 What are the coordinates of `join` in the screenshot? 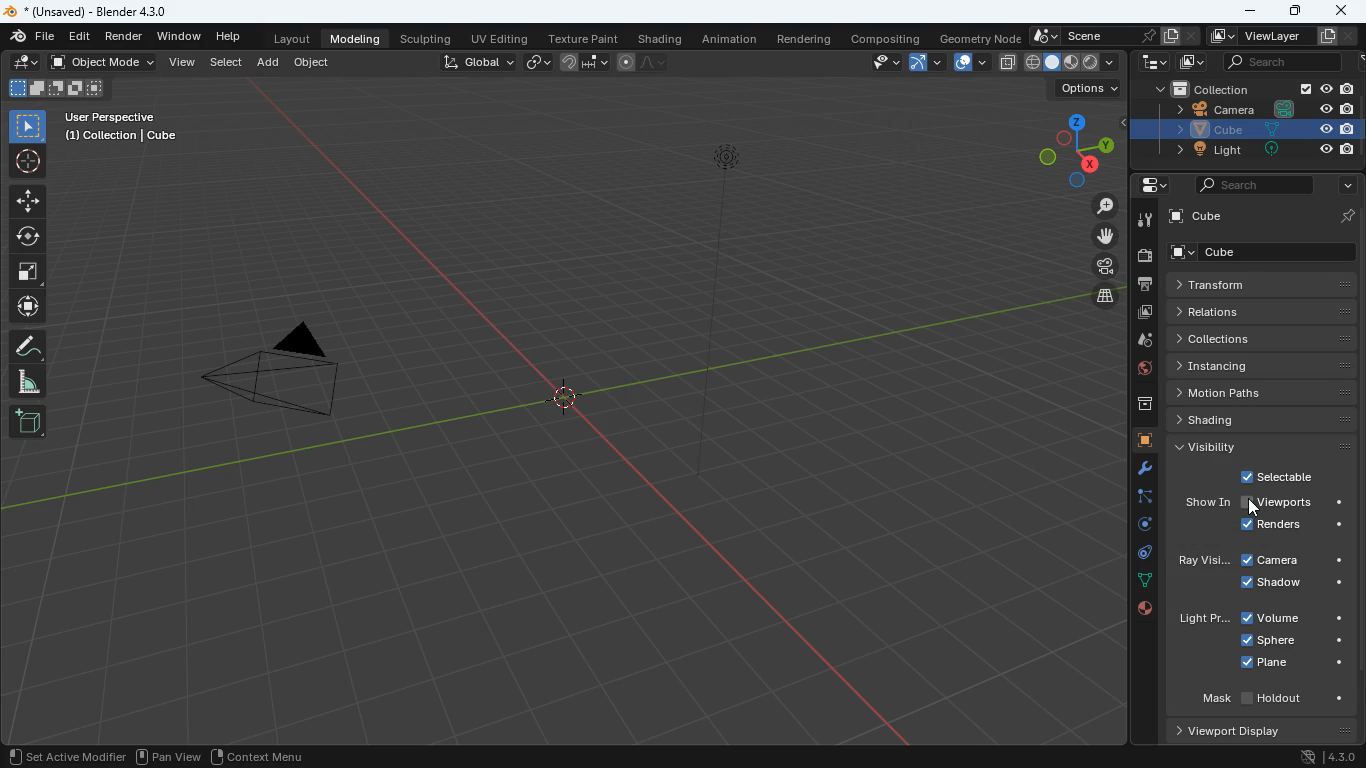 It's located at (582, 63).